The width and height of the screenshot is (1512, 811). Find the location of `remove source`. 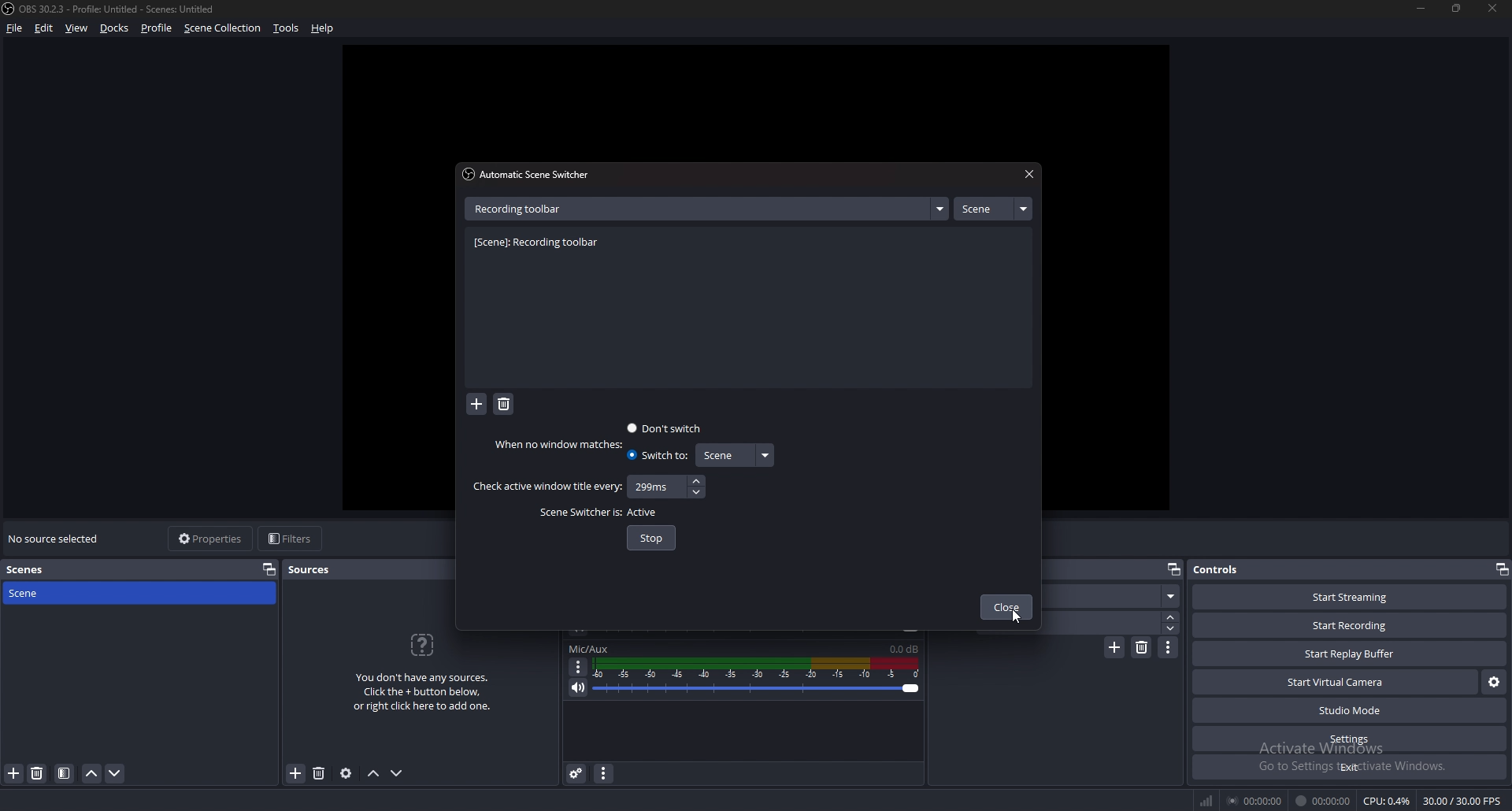

remove source is located at coordinates (319, 774).